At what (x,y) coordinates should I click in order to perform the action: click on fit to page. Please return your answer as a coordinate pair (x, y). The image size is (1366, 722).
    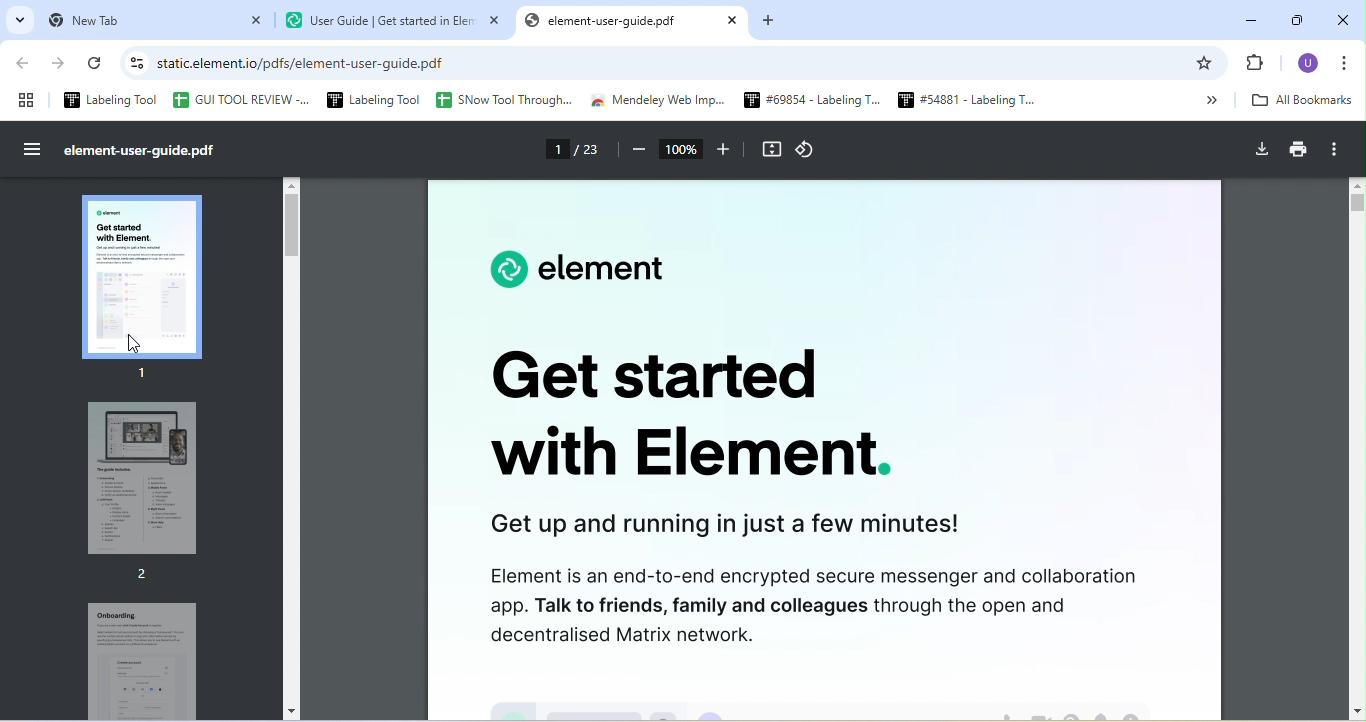
    Looking at the image, I should click on (771, 151).